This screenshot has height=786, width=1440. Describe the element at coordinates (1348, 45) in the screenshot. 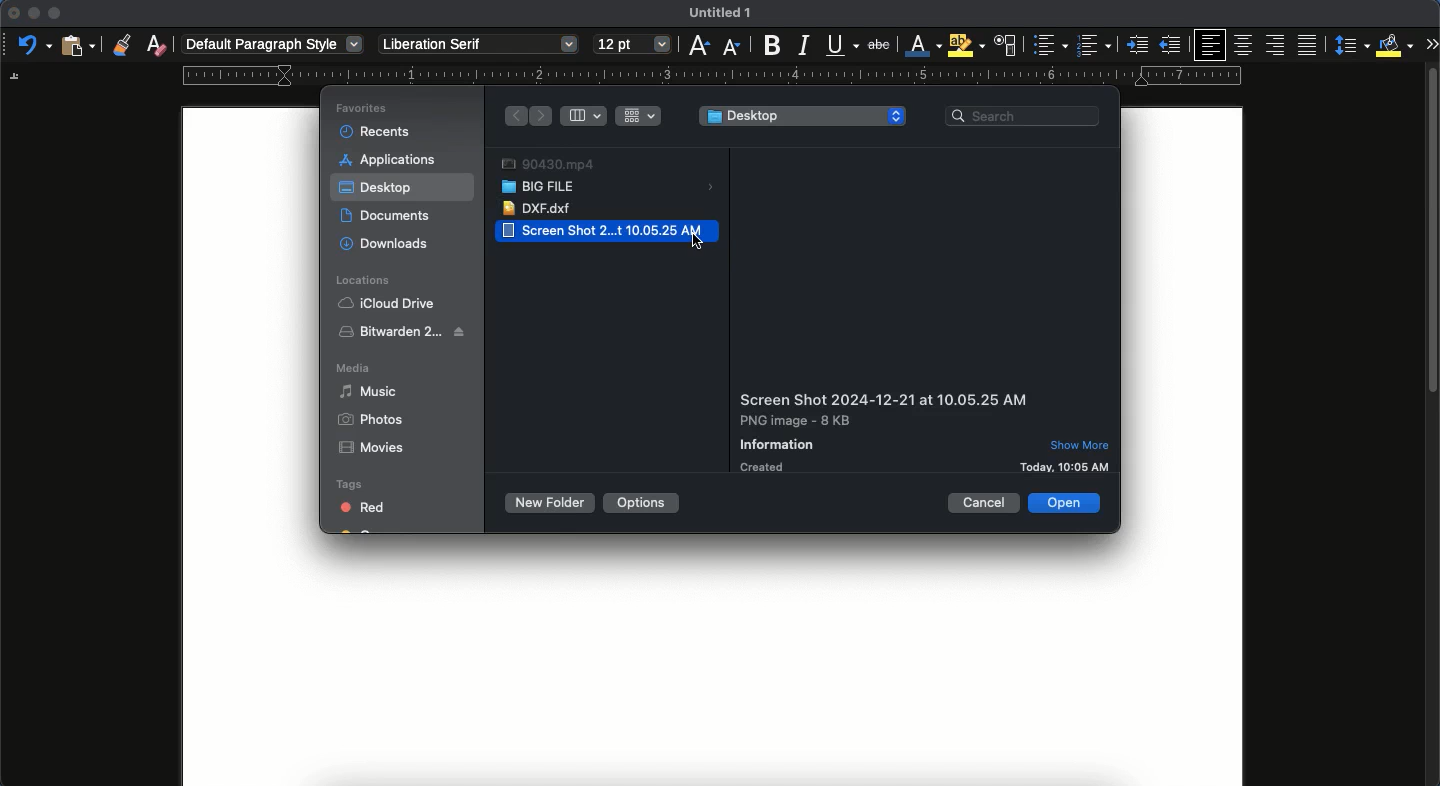

I see `paragraph spacing` at that location.